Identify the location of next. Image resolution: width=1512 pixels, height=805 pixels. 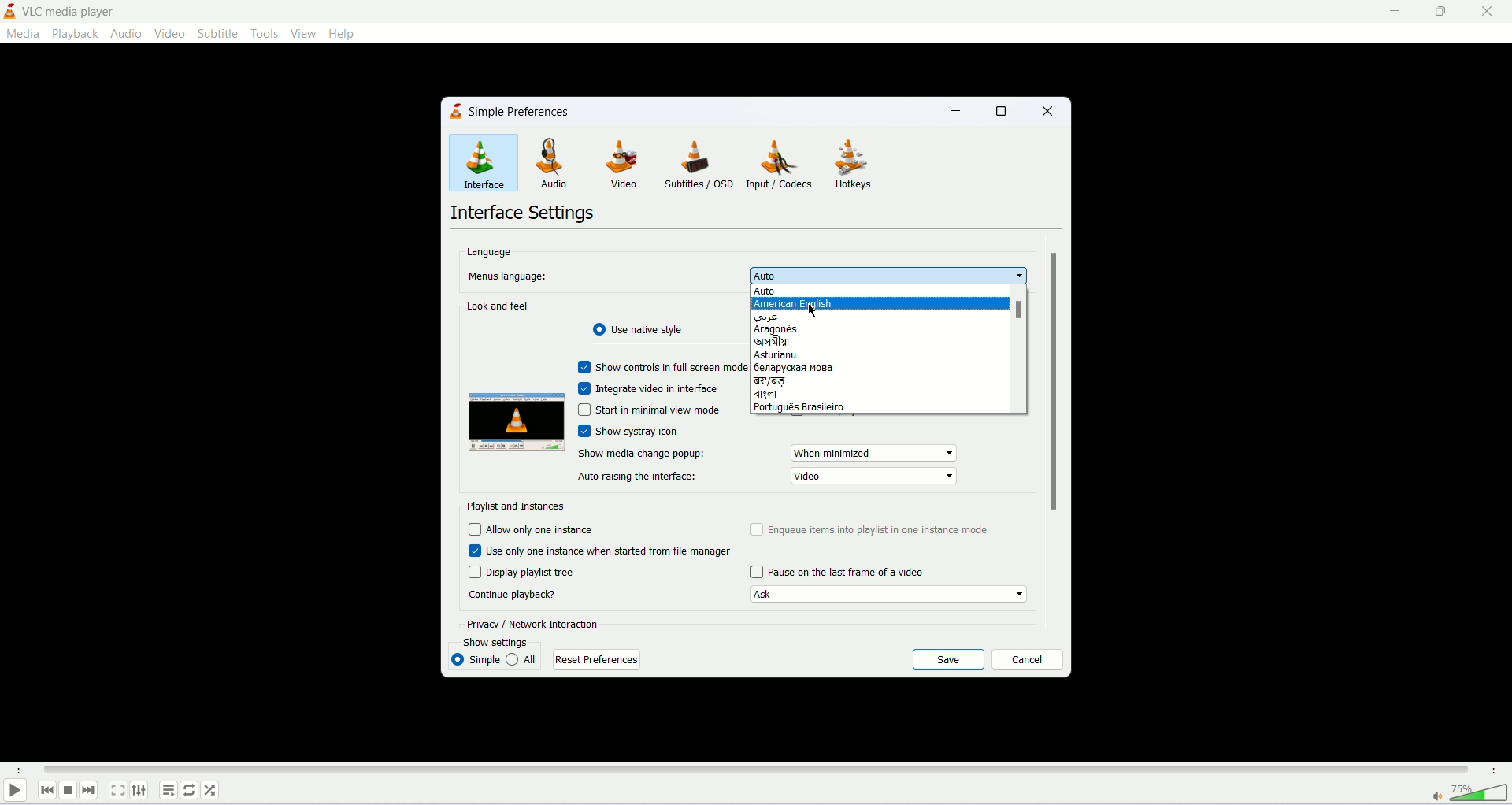
(88, 790).